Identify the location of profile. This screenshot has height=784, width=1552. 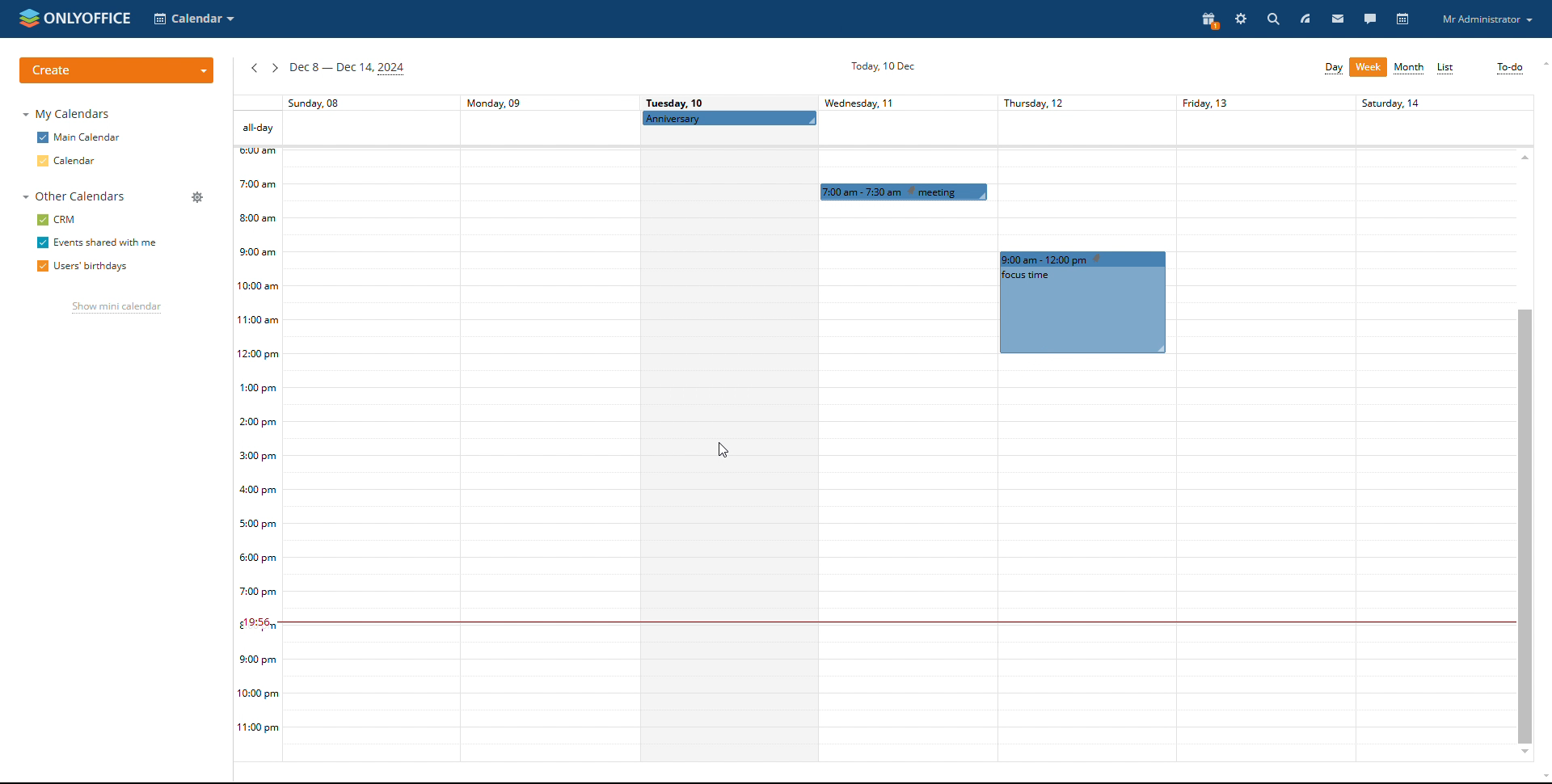
(1487, 19).